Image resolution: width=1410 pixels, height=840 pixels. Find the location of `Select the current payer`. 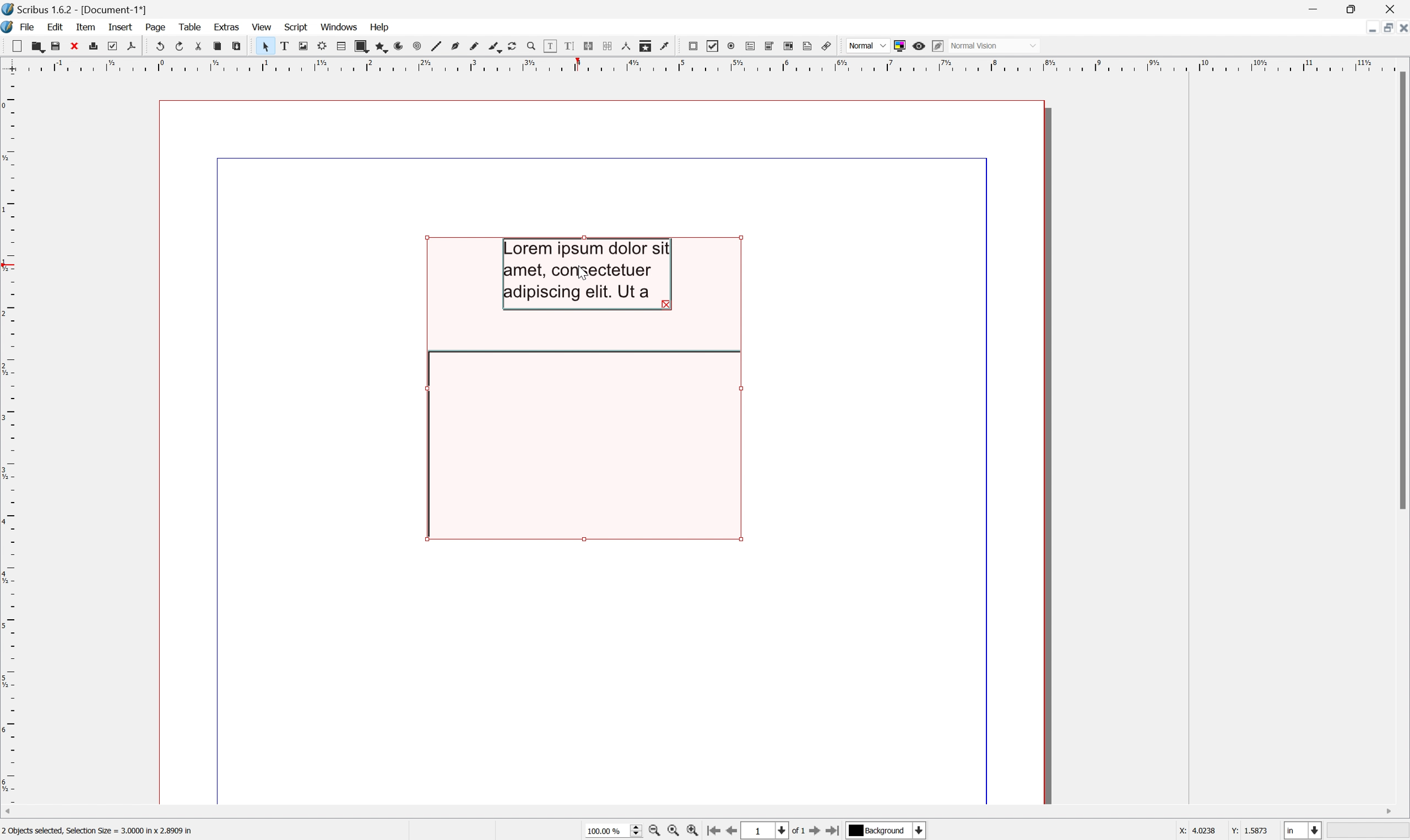

Select the current payer is located at coordinates (887, 832).